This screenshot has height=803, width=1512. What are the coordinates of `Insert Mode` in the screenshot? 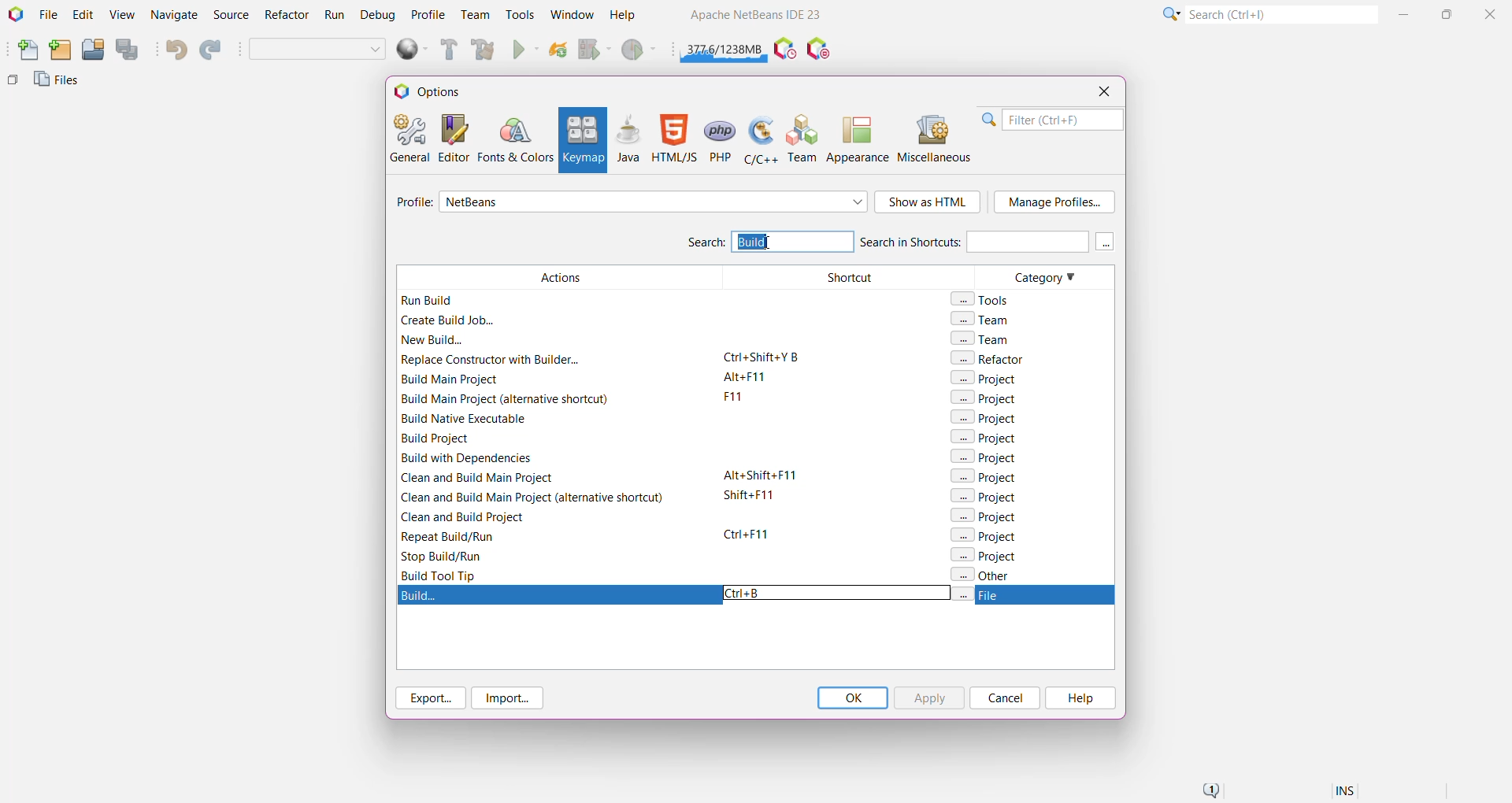 It's located at (1347, 793).